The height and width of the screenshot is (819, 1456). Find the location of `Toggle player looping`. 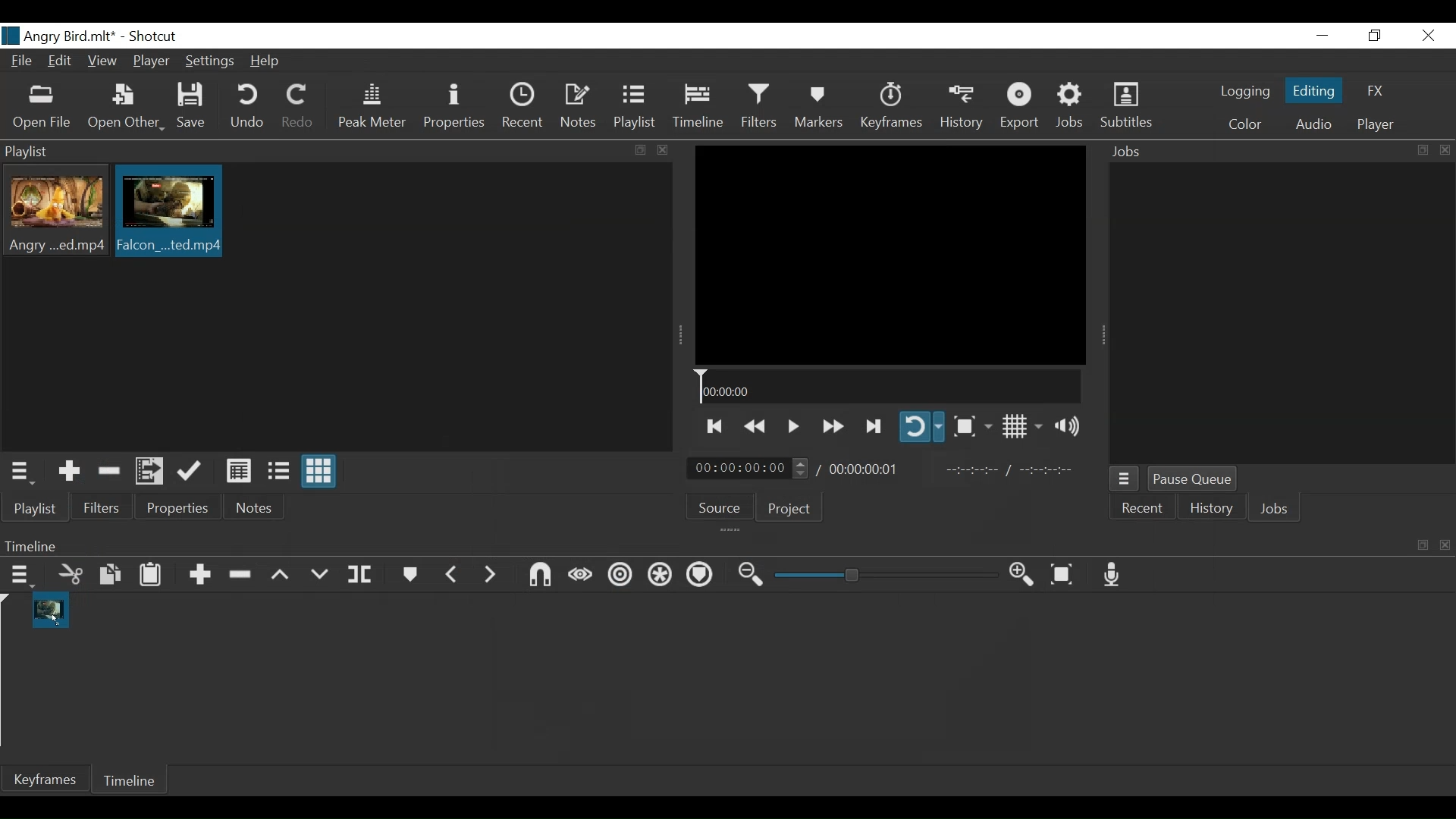

Toggle player looping is located at coordinates (921, 426).